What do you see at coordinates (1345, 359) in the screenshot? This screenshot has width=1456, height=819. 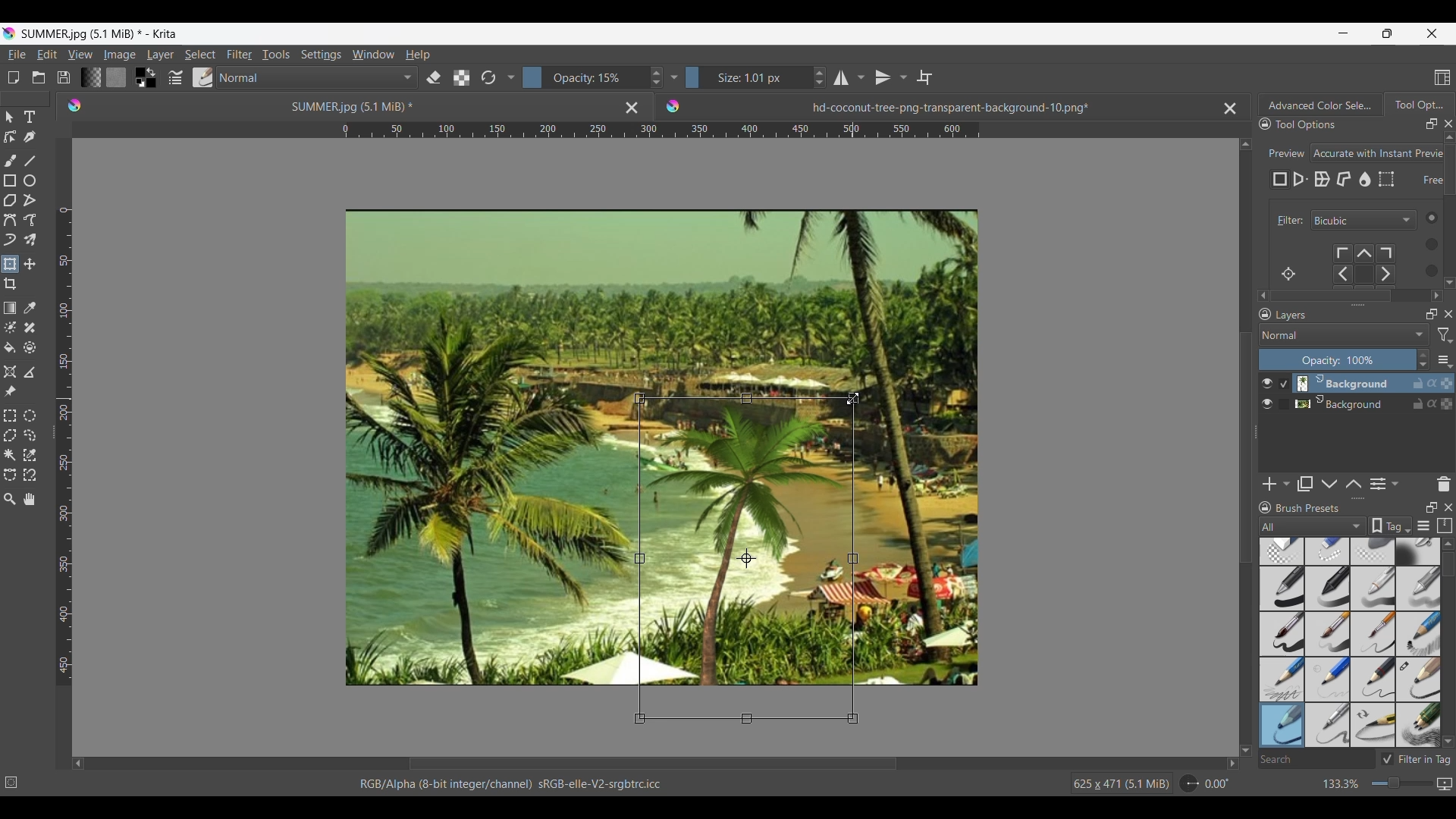 I see `Increase/Decrease opacity` at bounding box center [1345, 359].